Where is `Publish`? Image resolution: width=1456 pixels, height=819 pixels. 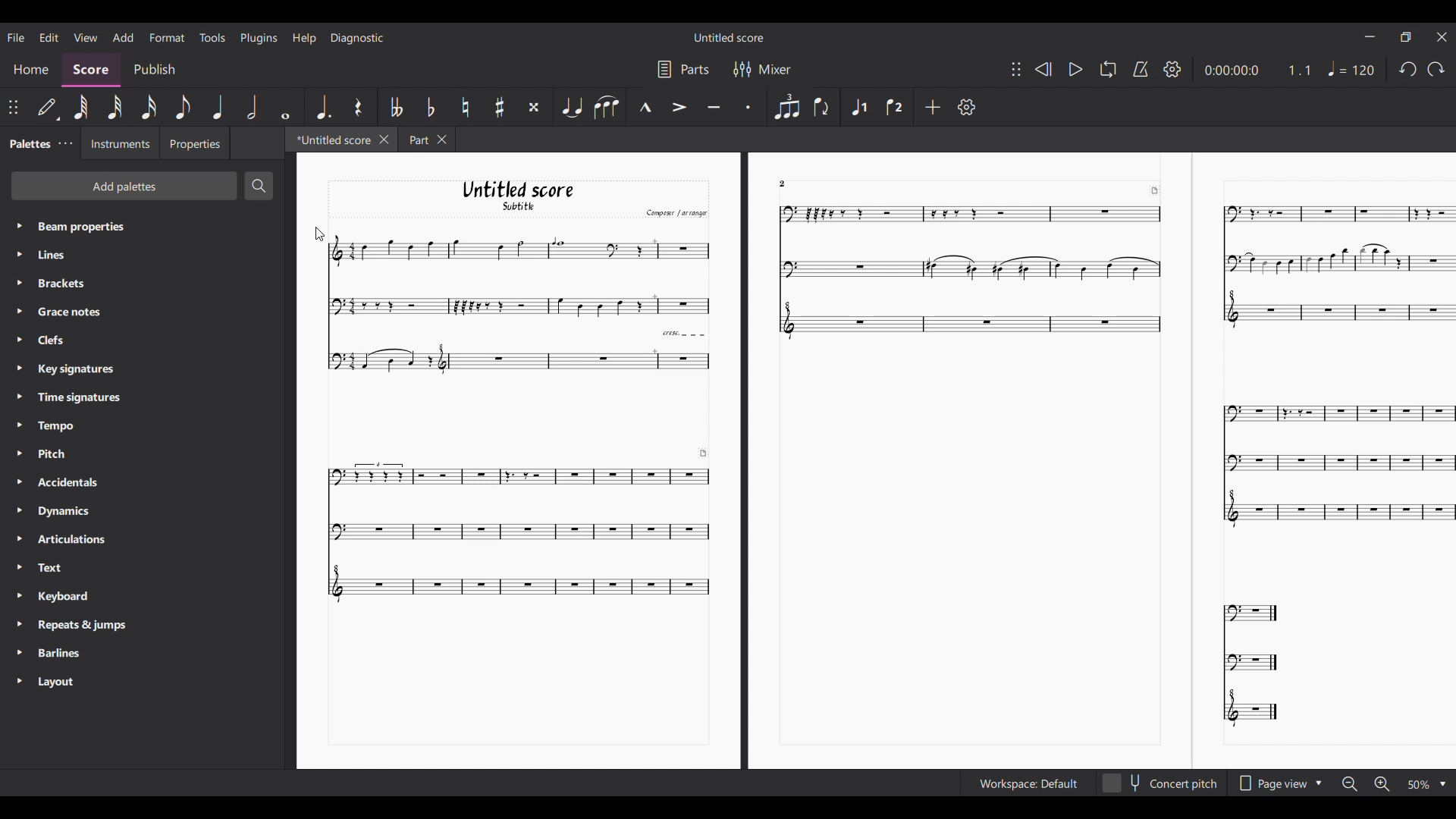
Publish is located at coordinates (153, 69).